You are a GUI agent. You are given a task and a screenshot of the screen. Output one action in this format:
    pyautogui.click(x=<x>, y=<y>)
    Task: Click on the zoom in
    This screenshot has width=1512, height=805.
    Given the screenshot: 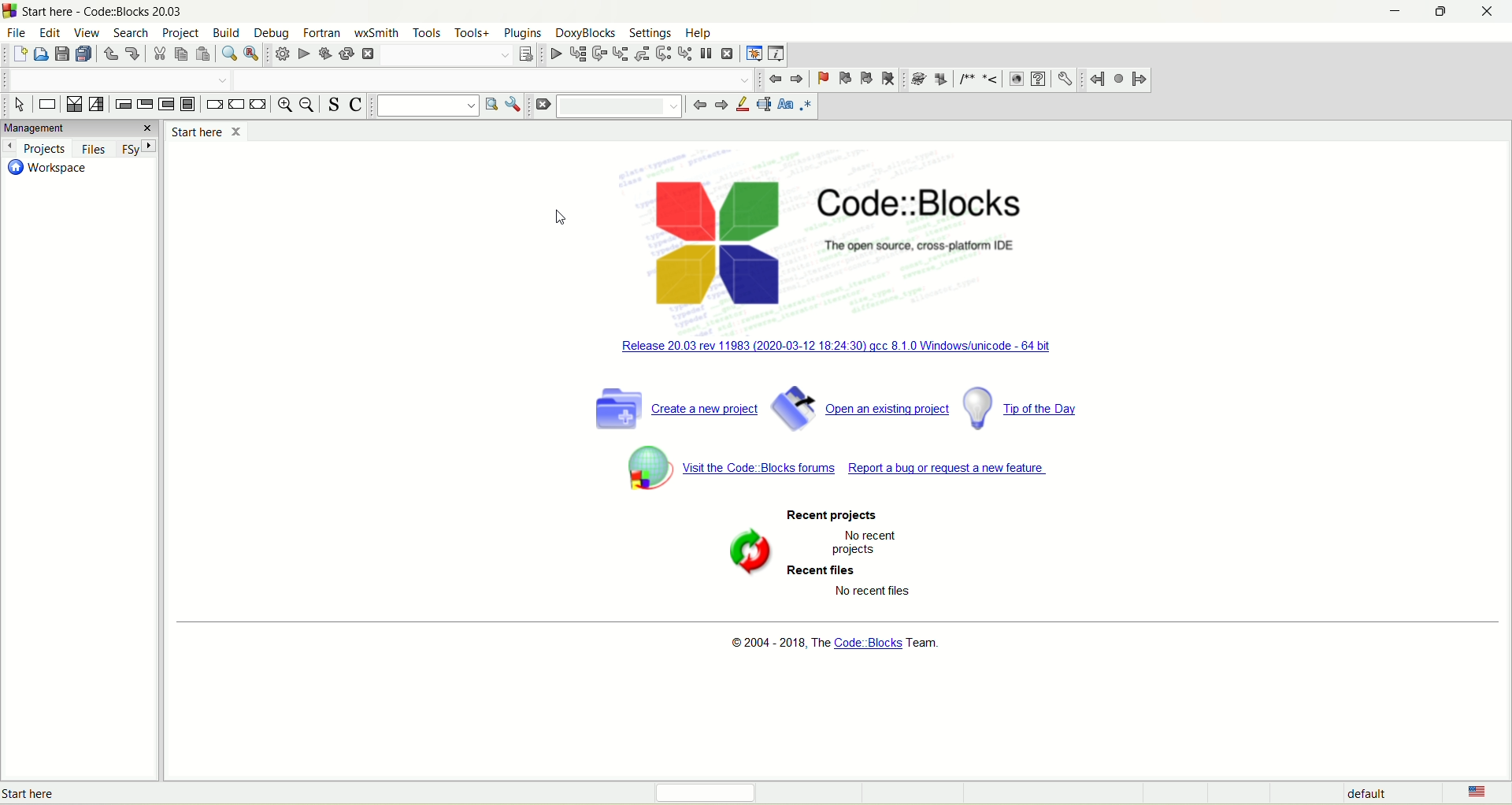 What is the action you would take?
    pyautogui.click(x=283, y=106)
    